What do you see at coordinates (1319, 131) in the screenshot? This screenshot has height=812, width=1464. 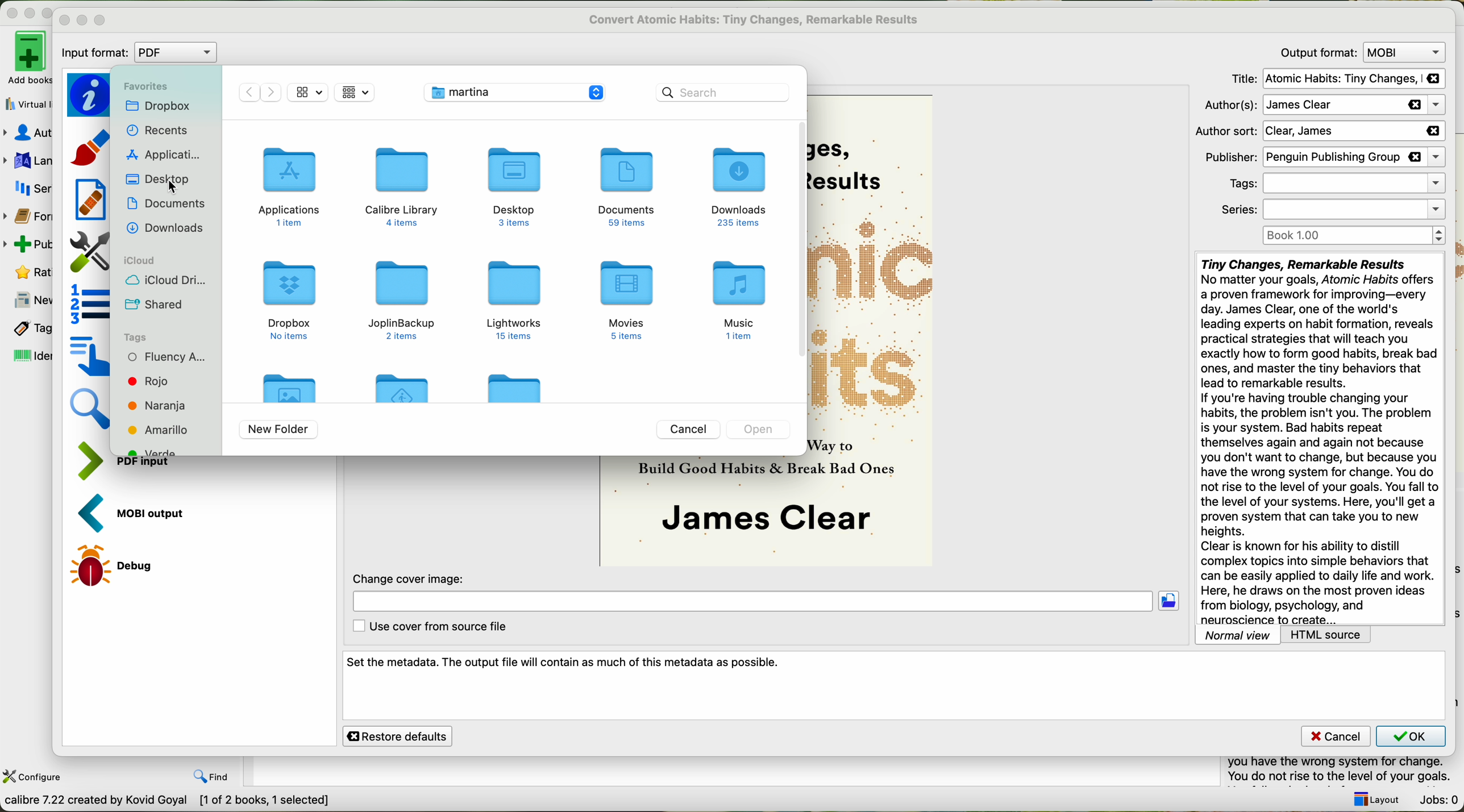 I see `author sort` at bounding box center [1319, 131].